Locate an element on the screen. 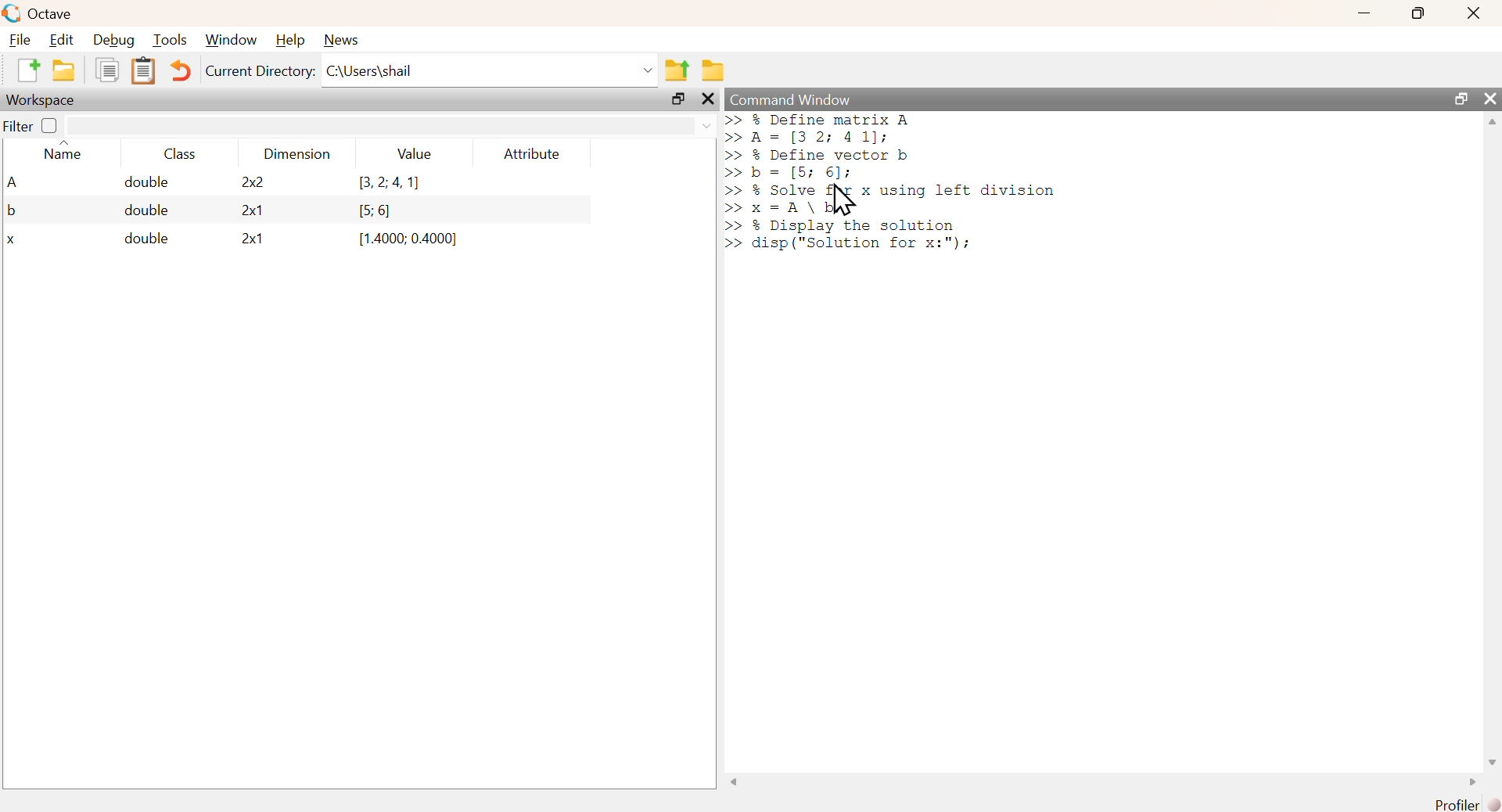 The width and height of the screenshot is (1502, 812). paste is located at coordinates (146, 73).